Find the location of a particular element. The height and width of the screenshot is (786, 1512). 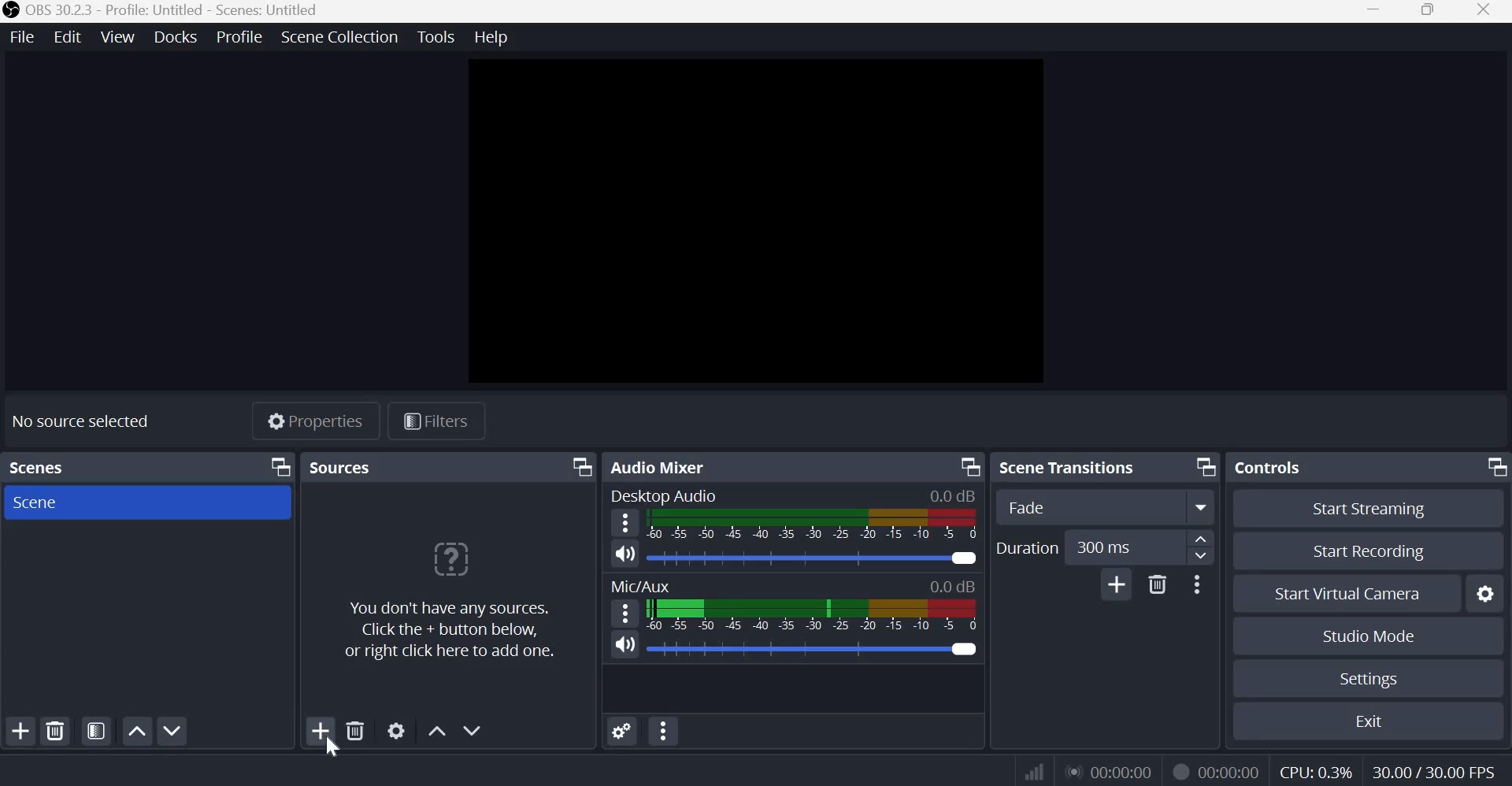

cursor is located at coordinates (332, 747).